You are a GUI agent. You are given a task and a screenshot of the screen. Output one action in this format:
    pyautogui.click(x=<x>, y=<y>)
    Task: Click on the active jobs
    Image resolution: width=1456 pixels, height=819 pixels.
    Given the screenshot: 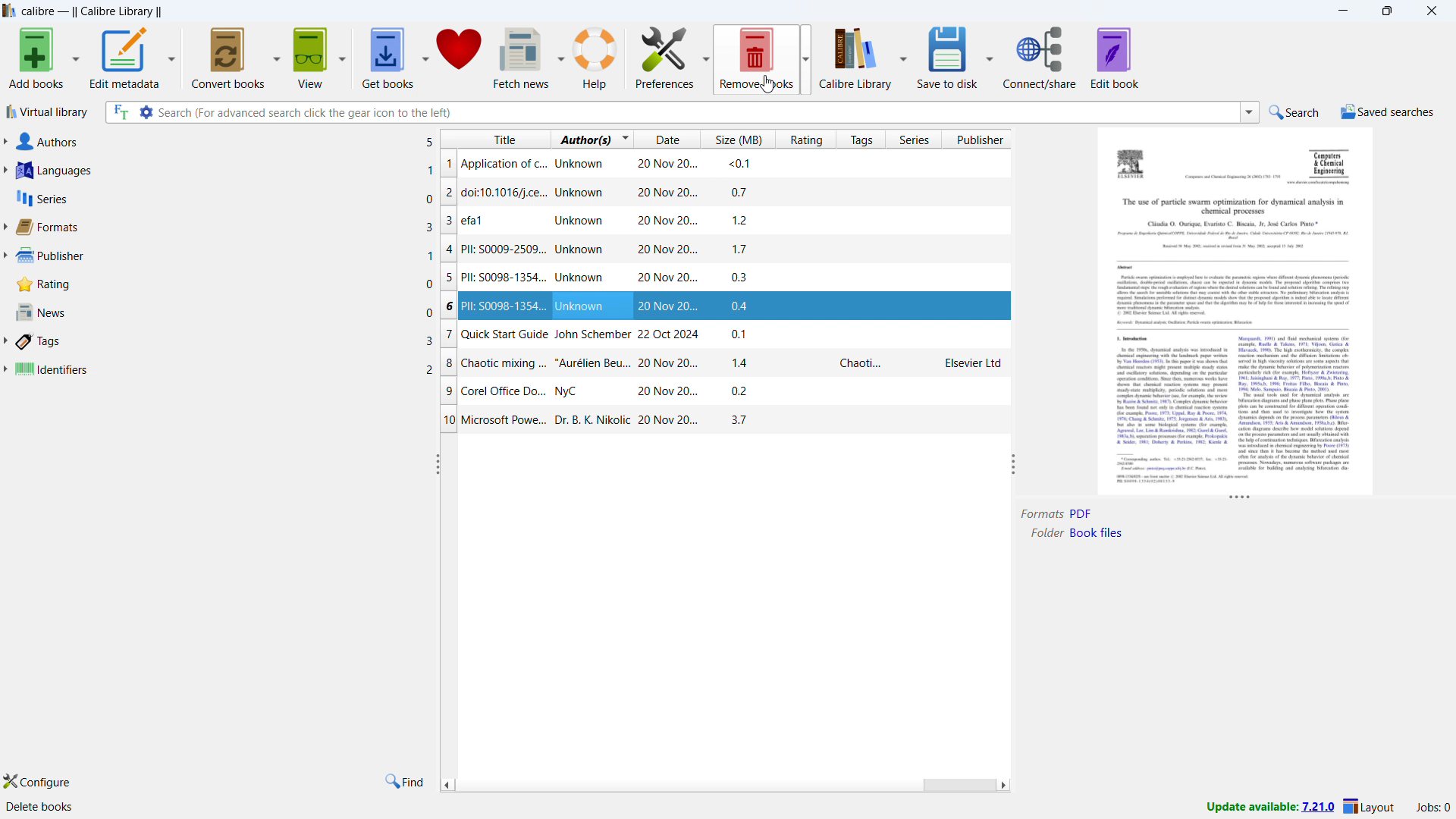 What is the action you would take?
    pyautogui.click(x=1433, y=808)
    